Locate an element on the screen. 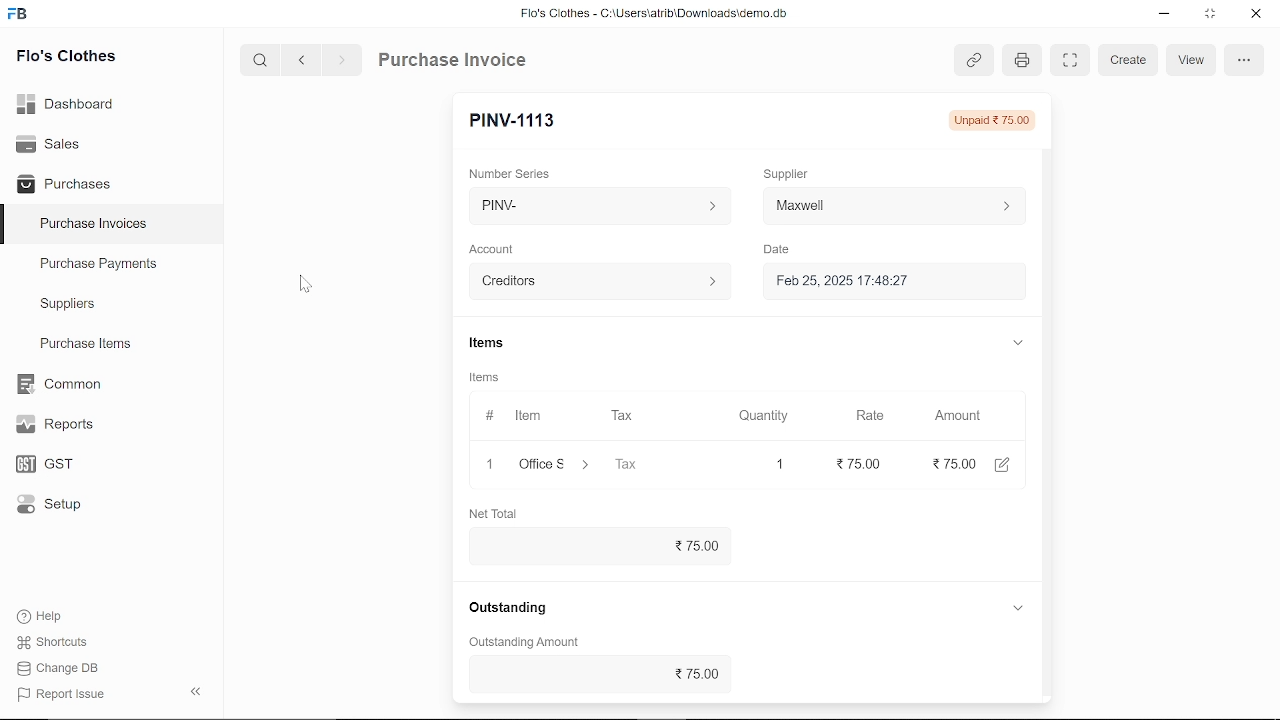  Flo's Clothes - C:\Users\alrib\Downioads'cemo.db. is located at coordinates (653, 17).